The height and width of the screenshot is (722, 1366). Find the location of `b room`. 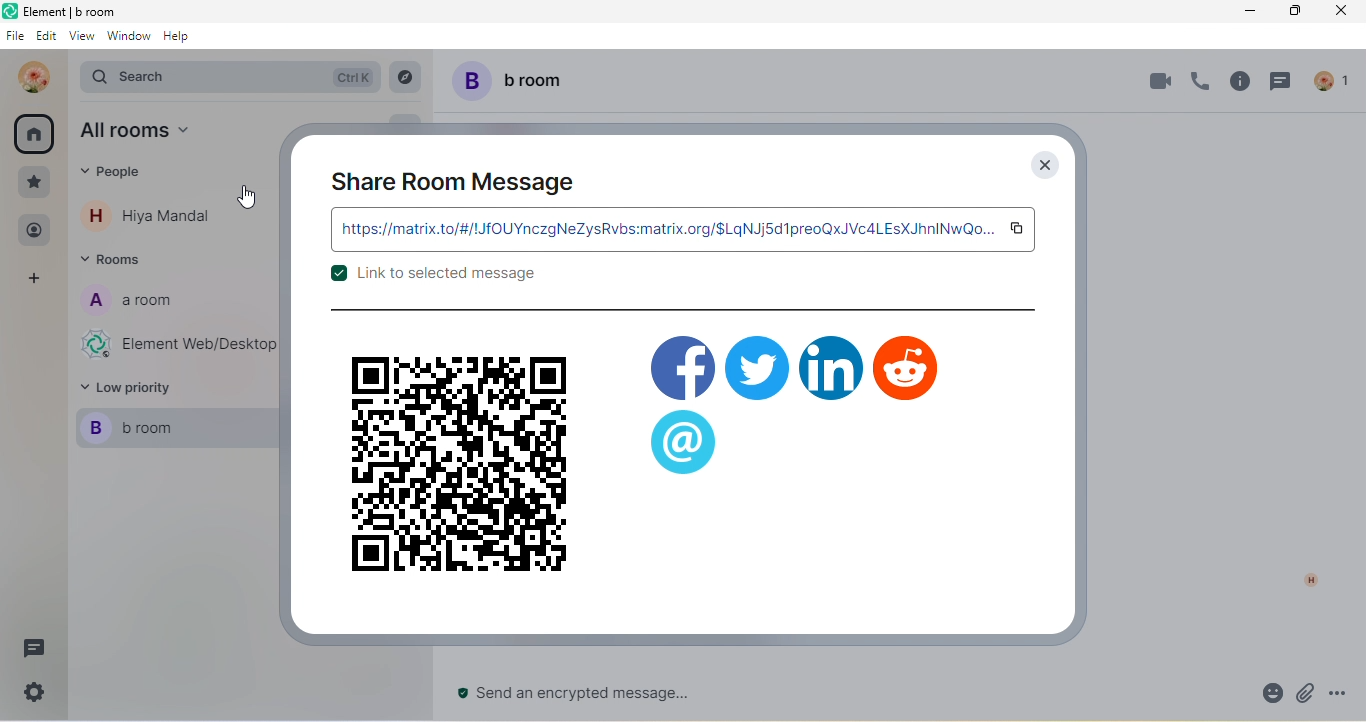

b room is located at coordinates (518, 80).